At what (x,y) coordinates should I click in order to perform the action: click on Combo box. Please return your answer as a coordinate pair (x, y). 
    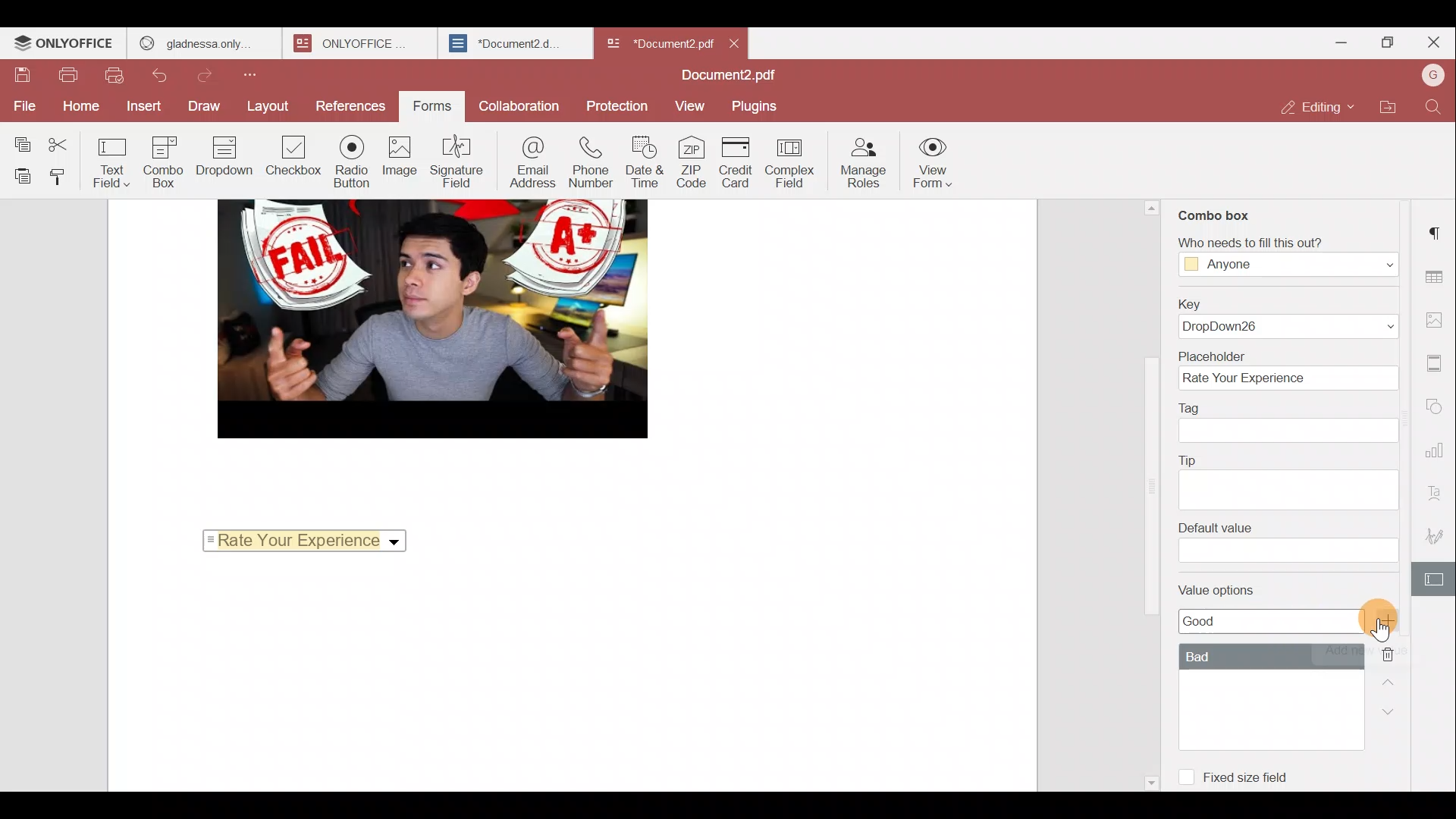
    Looking at the image, I should click on (169, 162).